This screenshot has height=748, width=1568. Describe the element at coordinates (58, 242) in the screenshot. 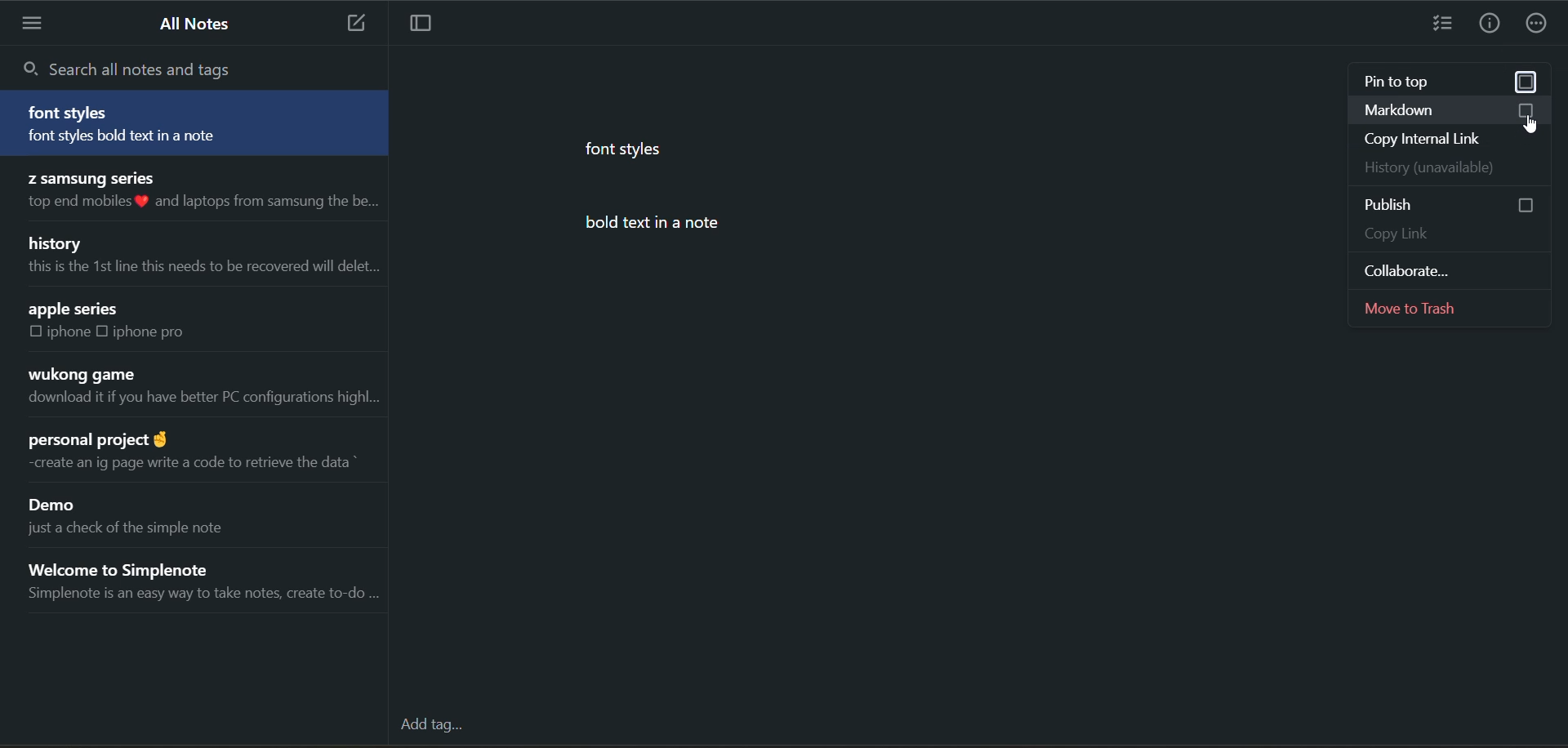

I see `history` at that location.